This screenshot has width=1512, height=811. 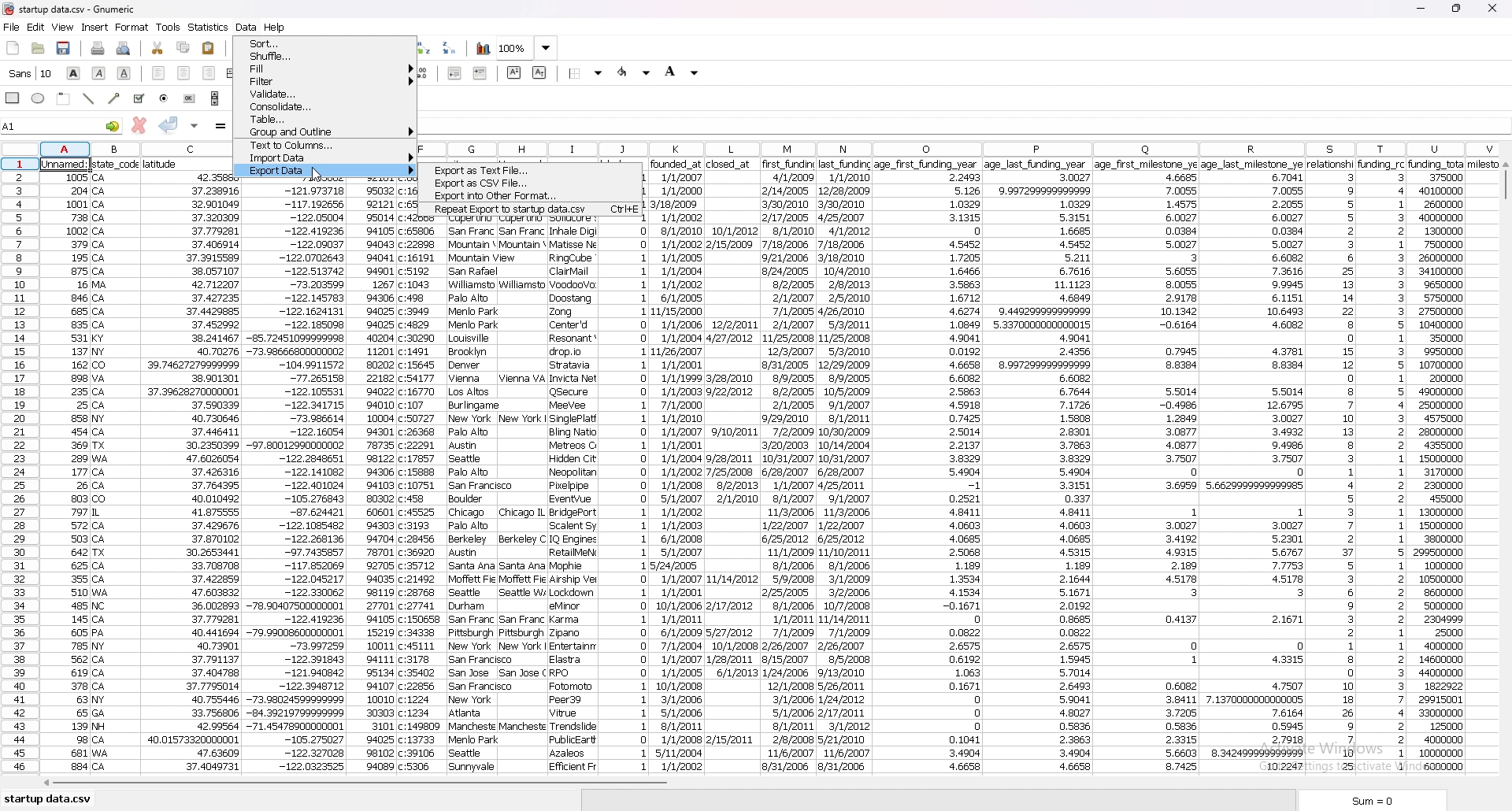 What do you see at coordinates (116, 98) in the screenshot?
I see `arrowed line` at bounding box center [116, 98].